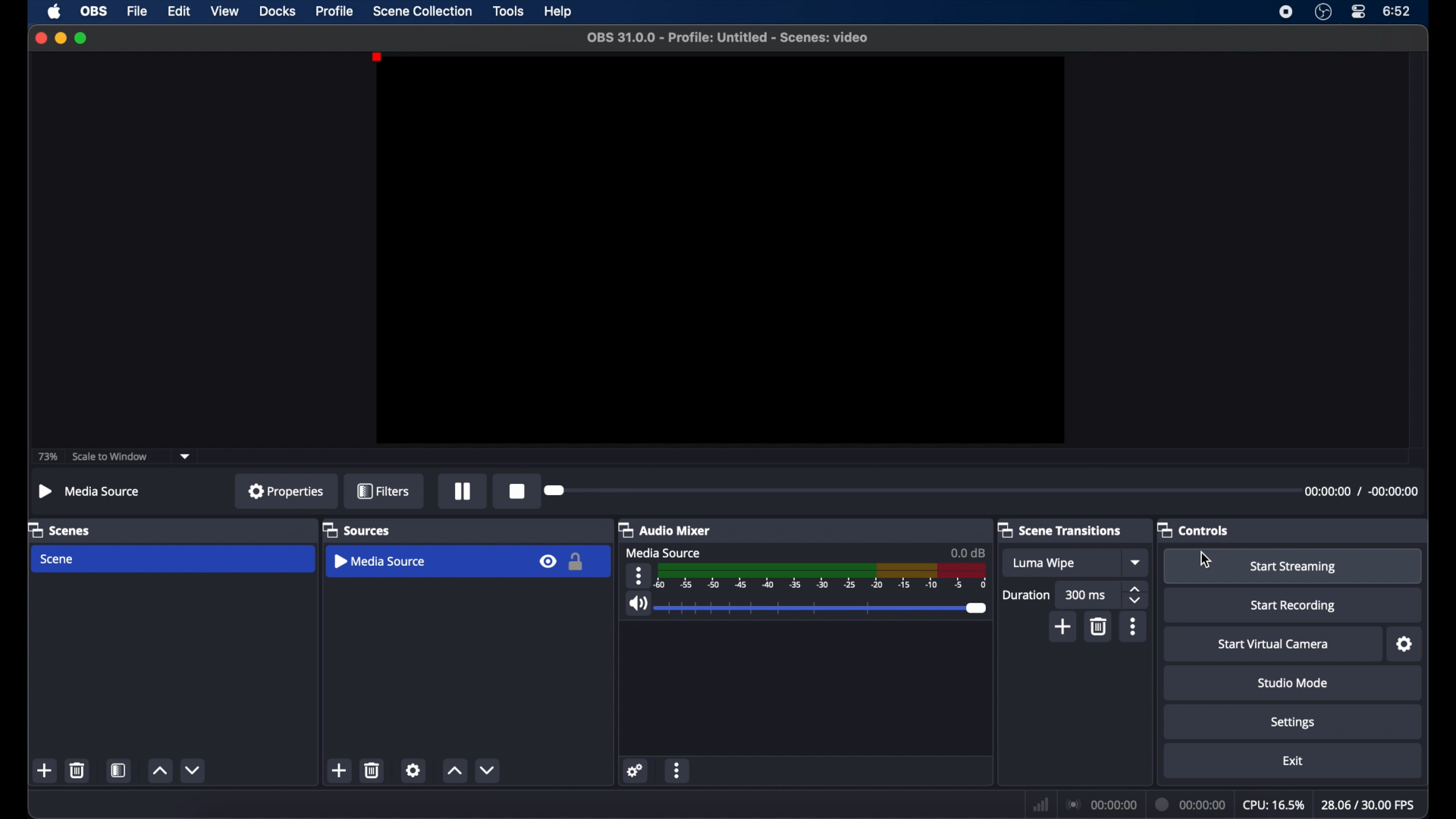 This screenshot has width=1456, height=819. I want to click on record, so click(517, 492).